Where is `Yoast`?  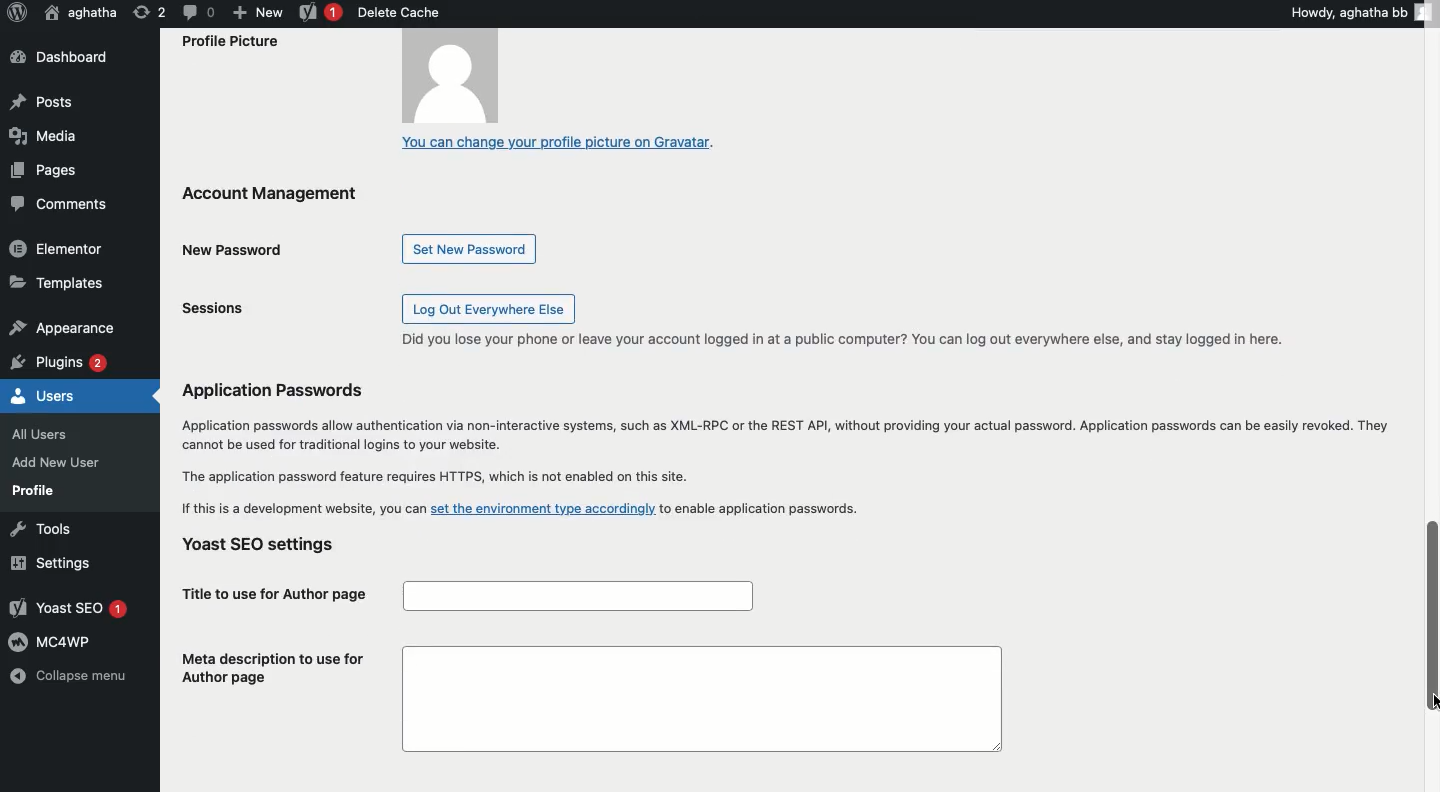 Yoast is located at coordinates (321, 14).